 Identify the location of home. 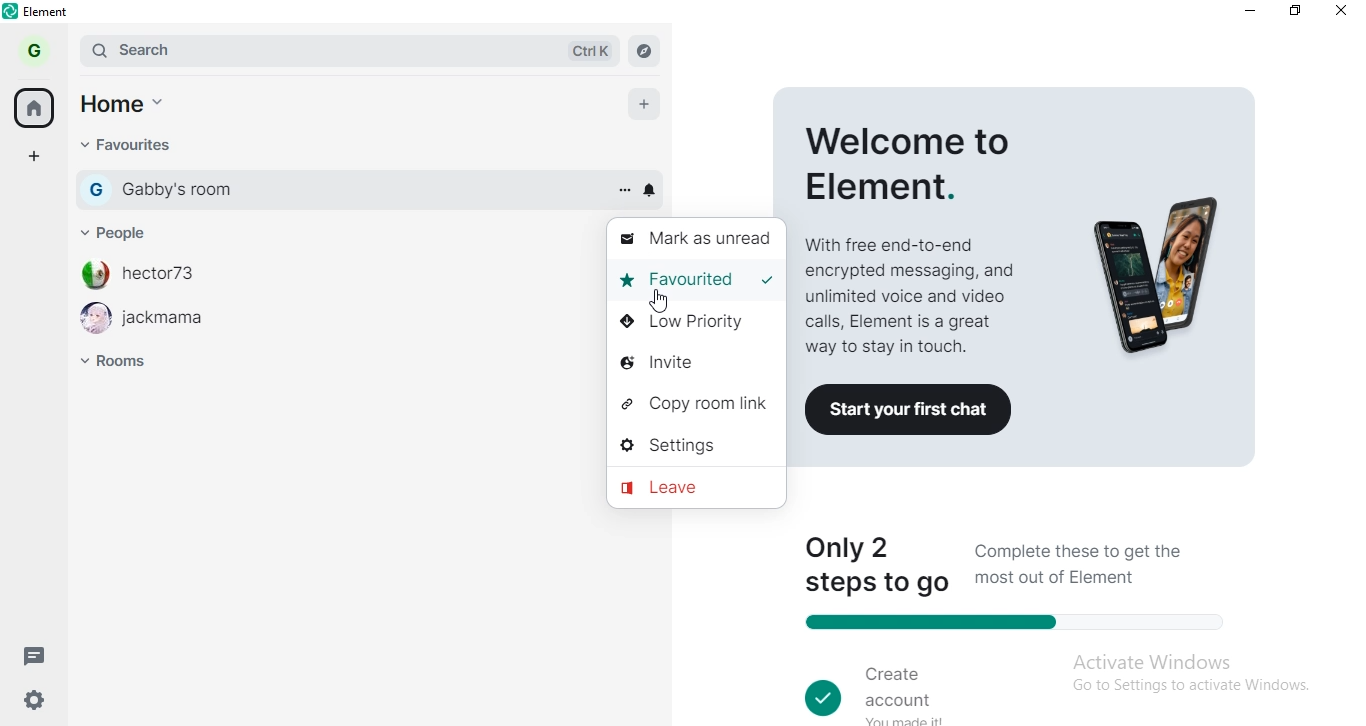
(130, 101).